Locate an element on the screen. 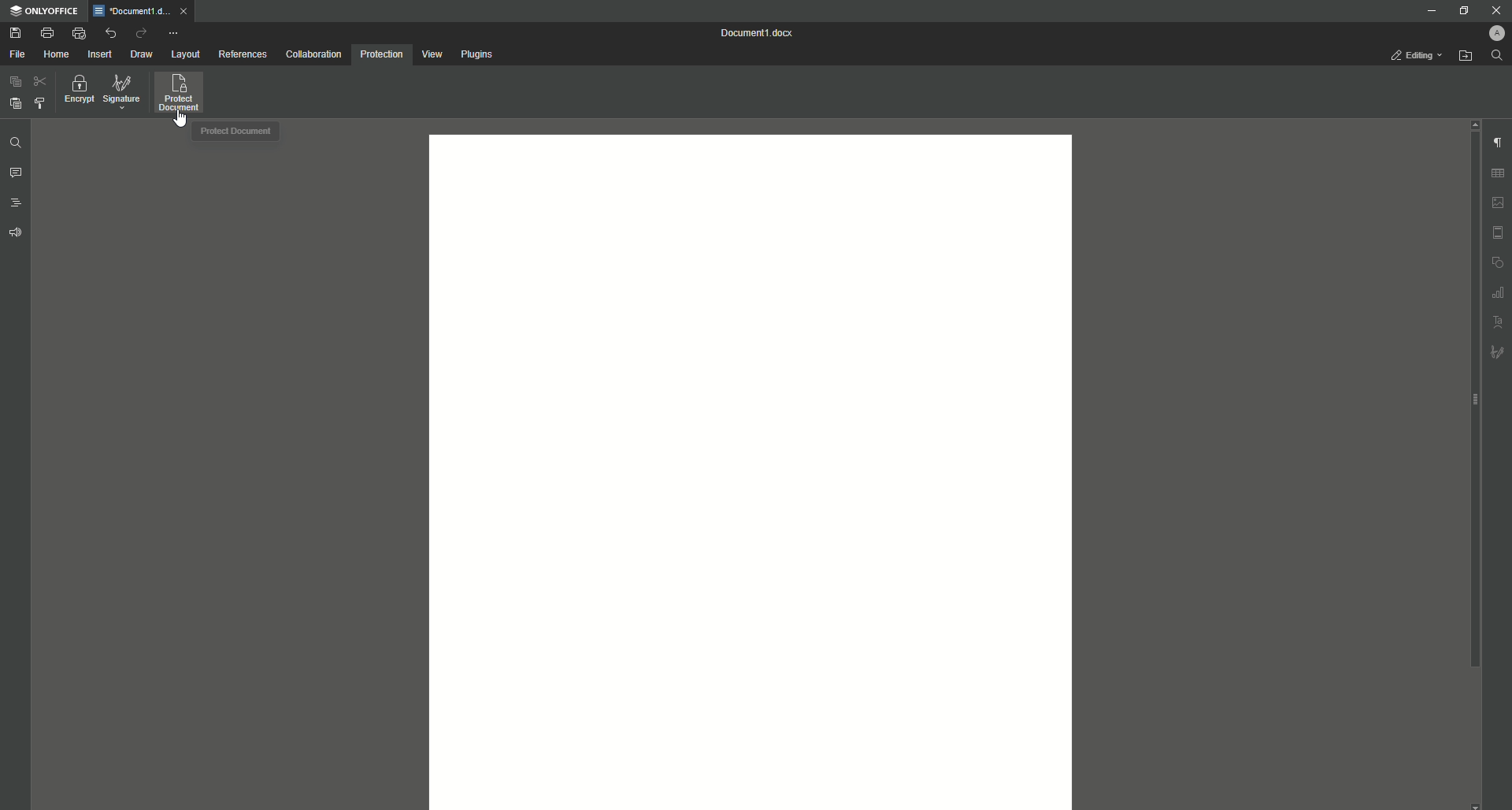  References is located at coordinates (242, 54).